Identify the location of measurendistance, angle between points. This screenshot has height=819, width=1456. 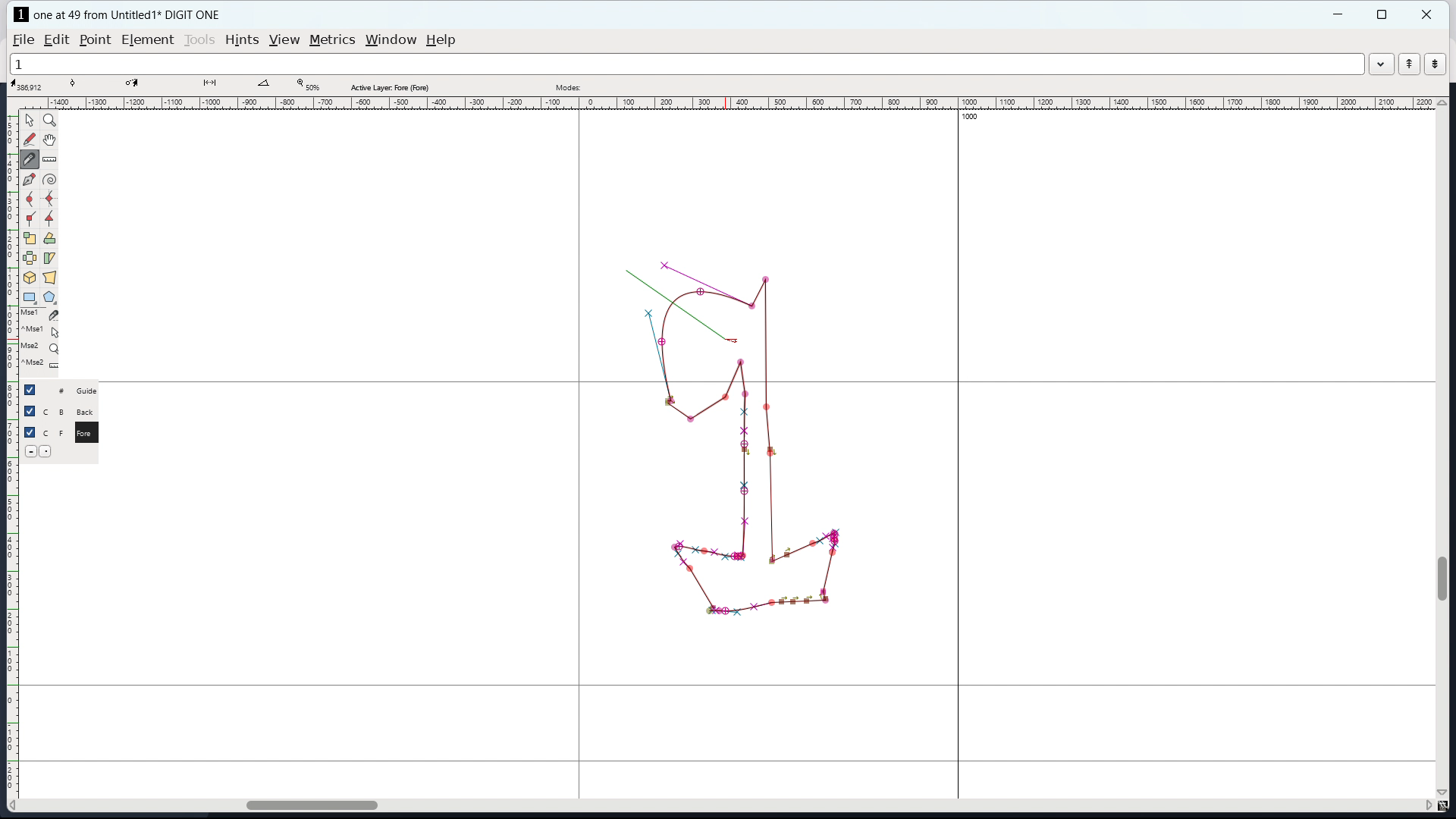
(53, 158).